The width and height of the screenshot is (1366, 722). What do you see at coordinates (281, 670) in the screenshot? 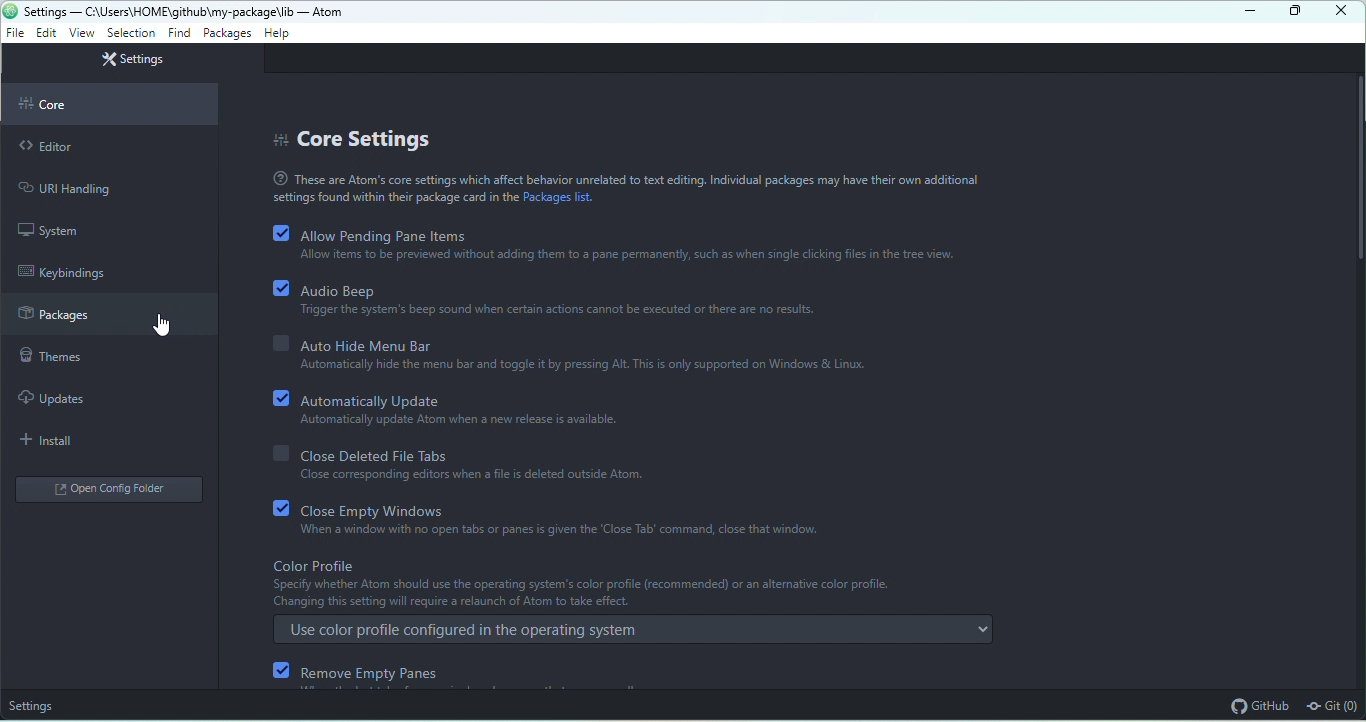
I see `checkbox with tick` at bounding box center [281, 670].